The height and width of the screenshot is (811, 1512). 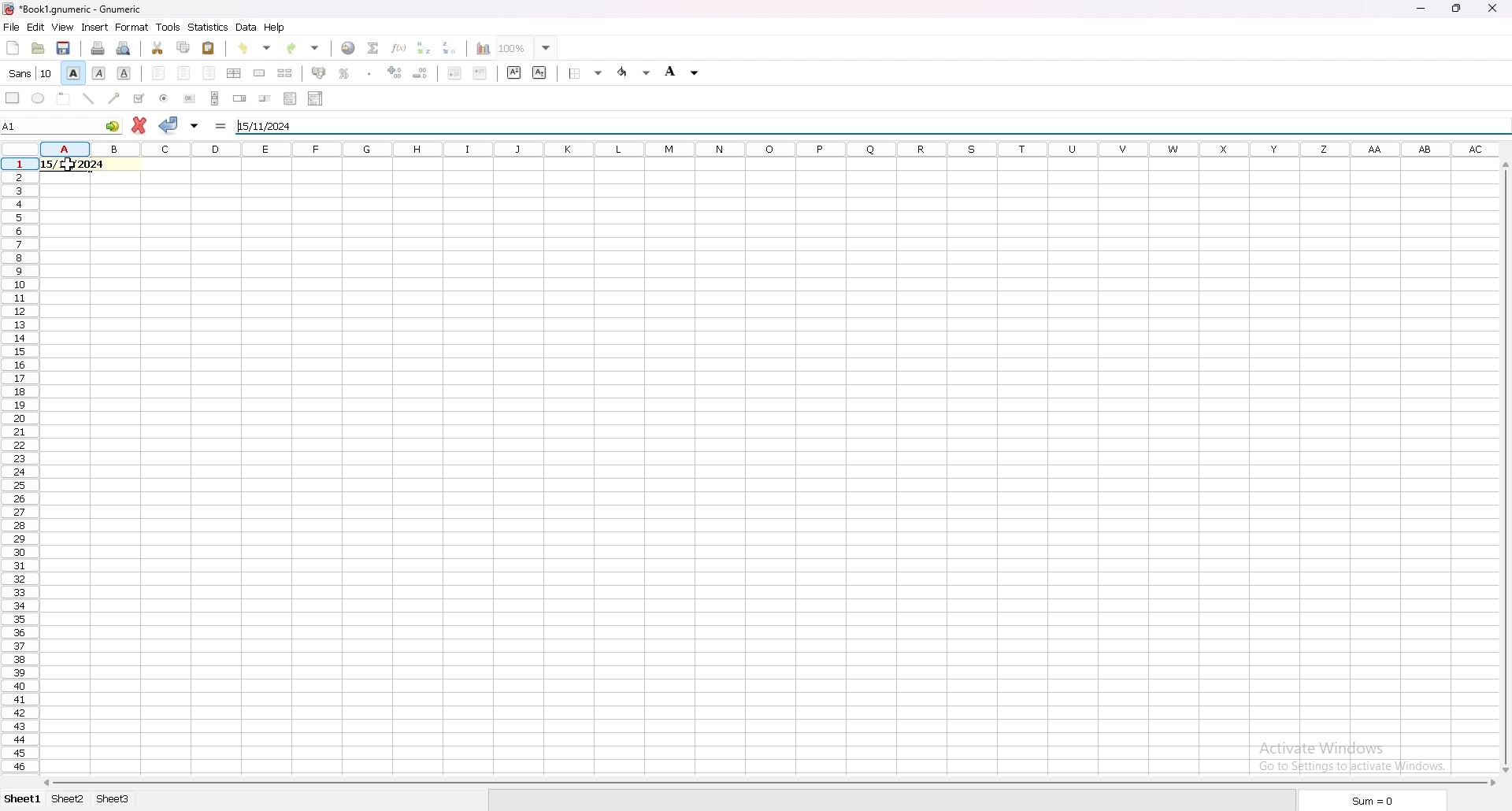 I want to click on summation, so click(x=372, y=48).